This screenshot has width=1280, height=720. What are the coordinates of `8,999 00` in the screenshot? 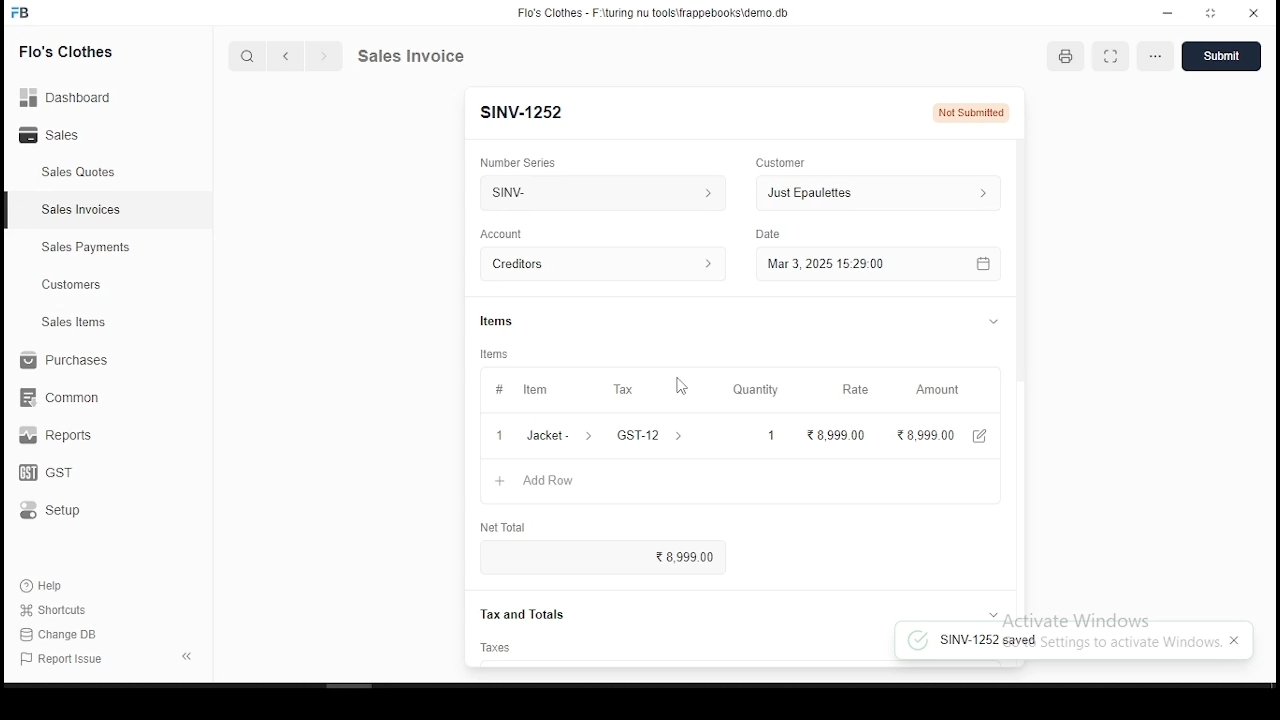 It's located at (838, 434).